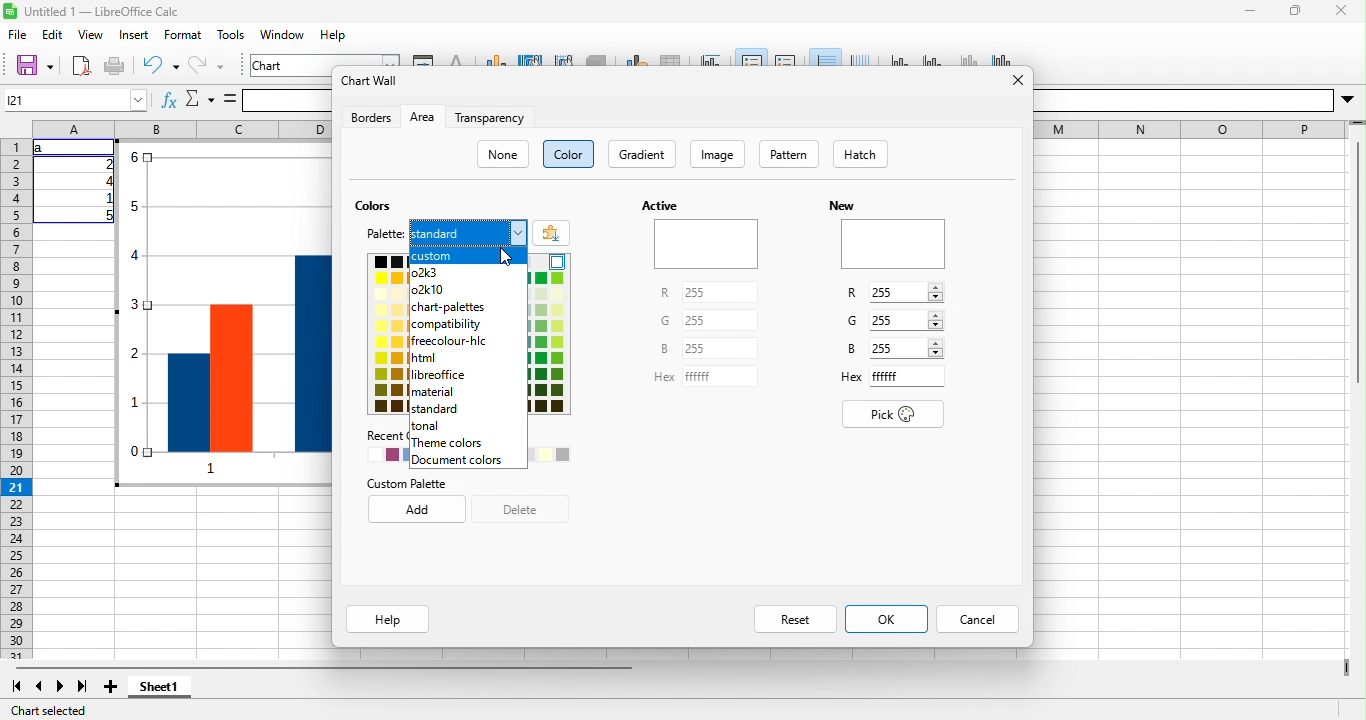 Image resolution: width=1366 pixels, height=720 pixels. Describe the element at coordinates (48, 711) in the screenshot. I see `chart selected` at that location.